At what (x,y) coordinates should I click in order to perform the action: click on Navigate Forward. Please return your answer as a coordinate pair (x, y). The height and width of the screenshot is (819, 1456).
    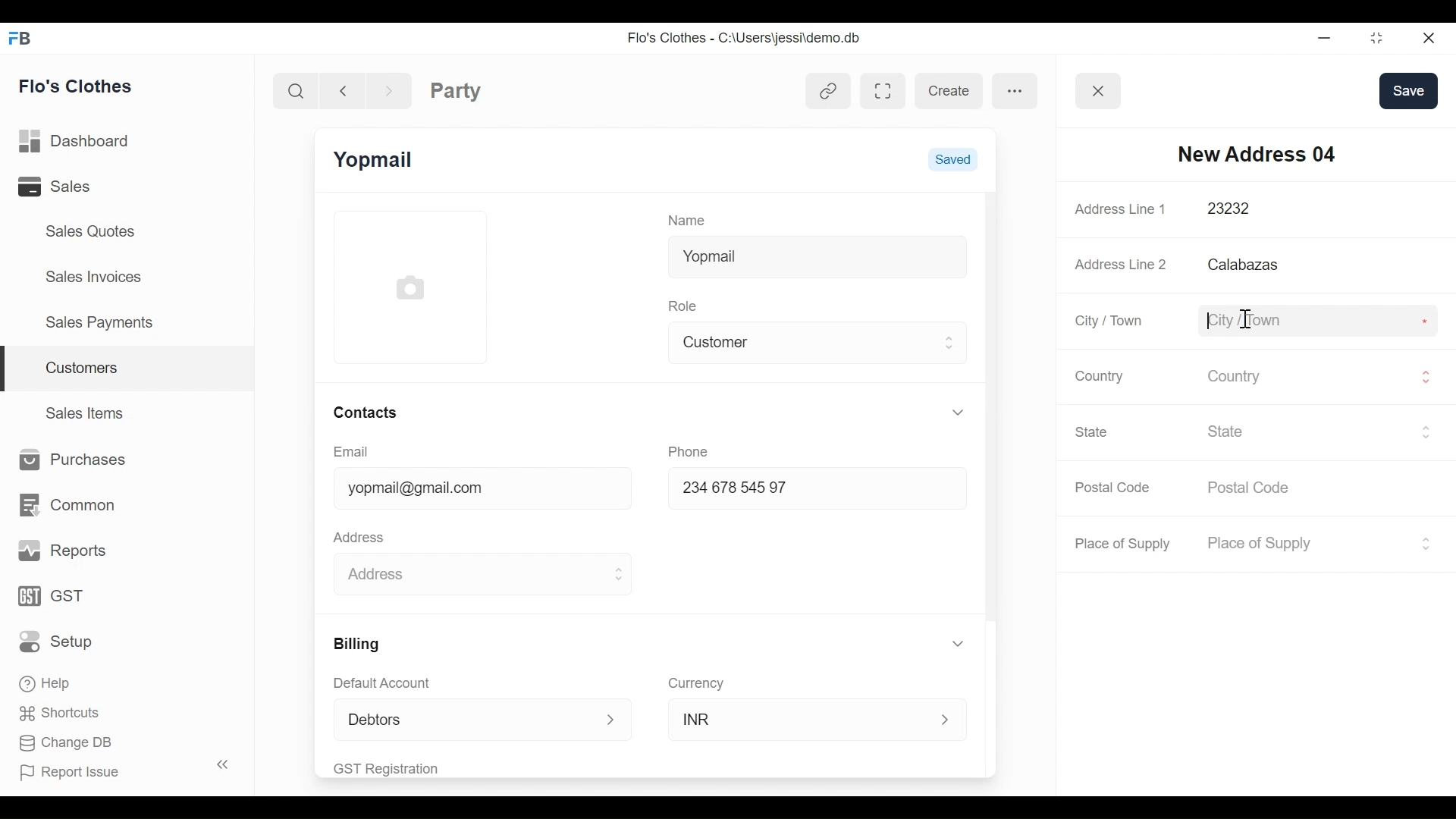
    Looking at the image, I should click on (389, 89).